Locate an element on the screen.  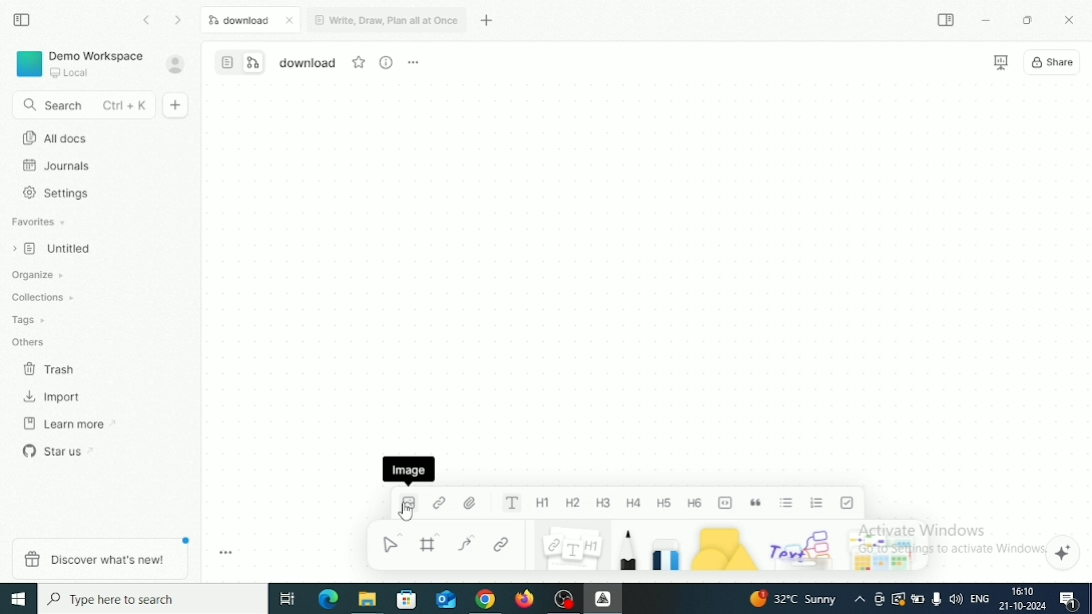
File name is located at coordinates (308, 64).